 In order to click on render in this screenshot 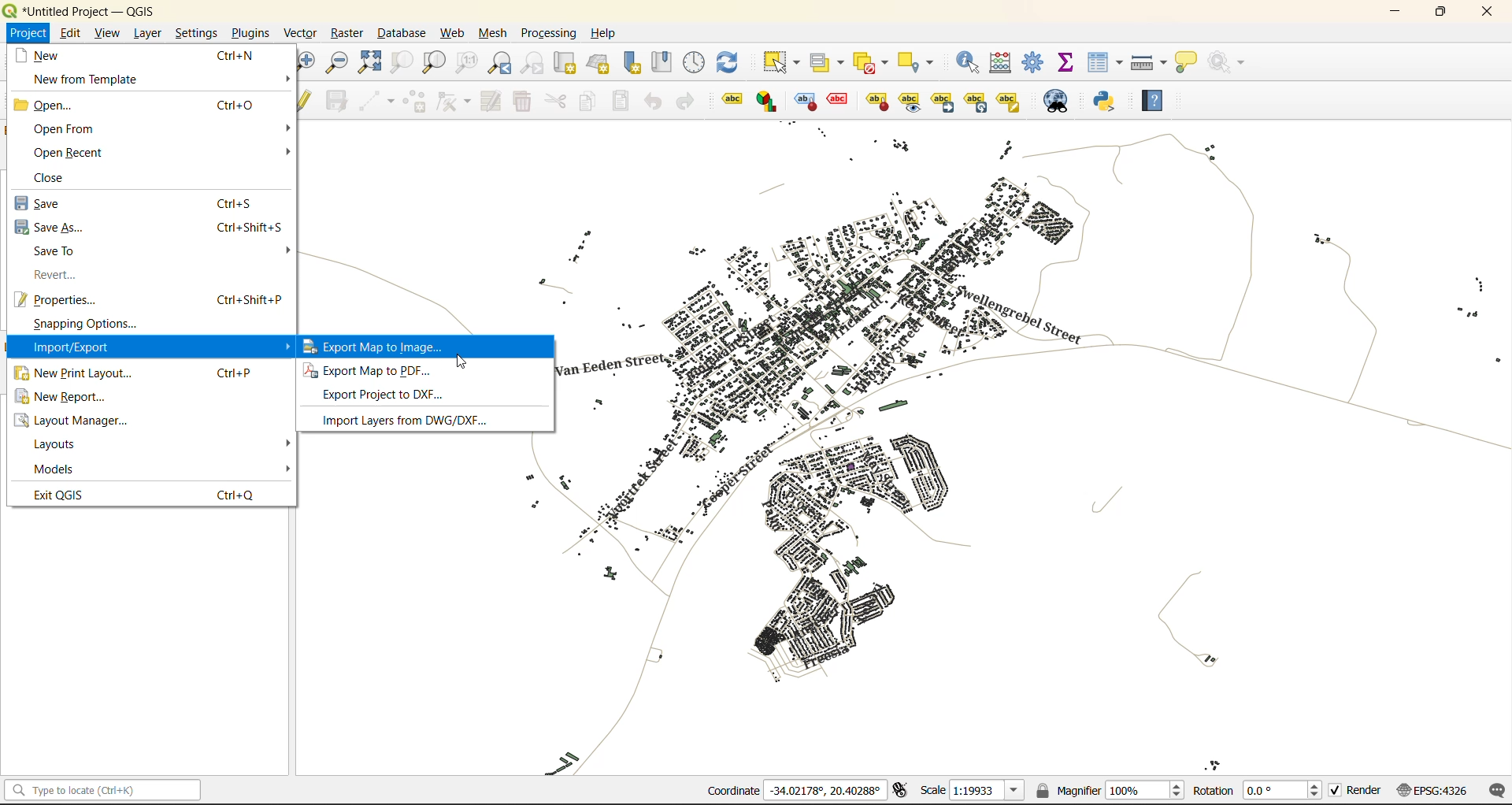, I will do `click(1352, 793)`.